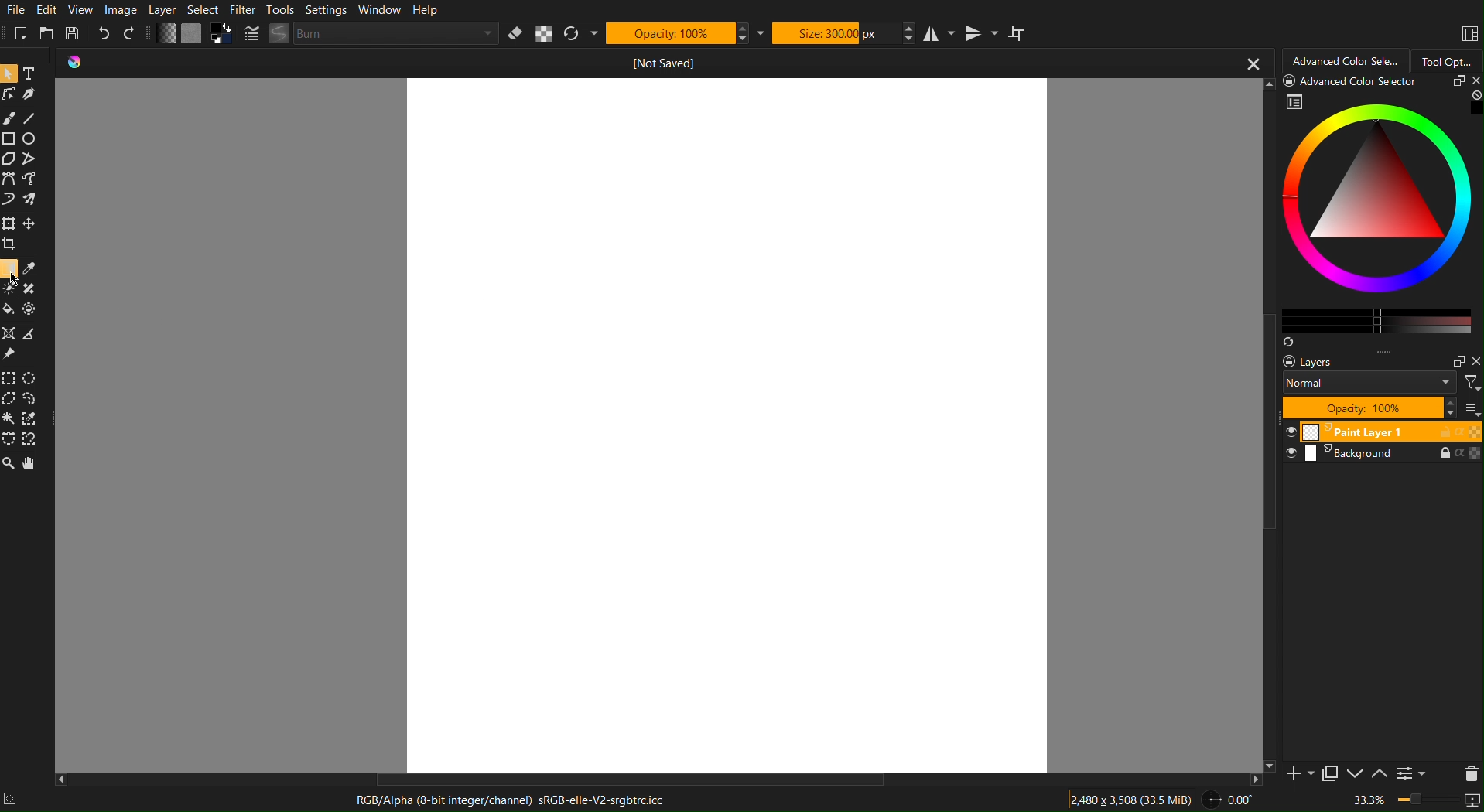  Describe the element at coordinates (76, 35) in the screenshot. I see `Save` at that location.